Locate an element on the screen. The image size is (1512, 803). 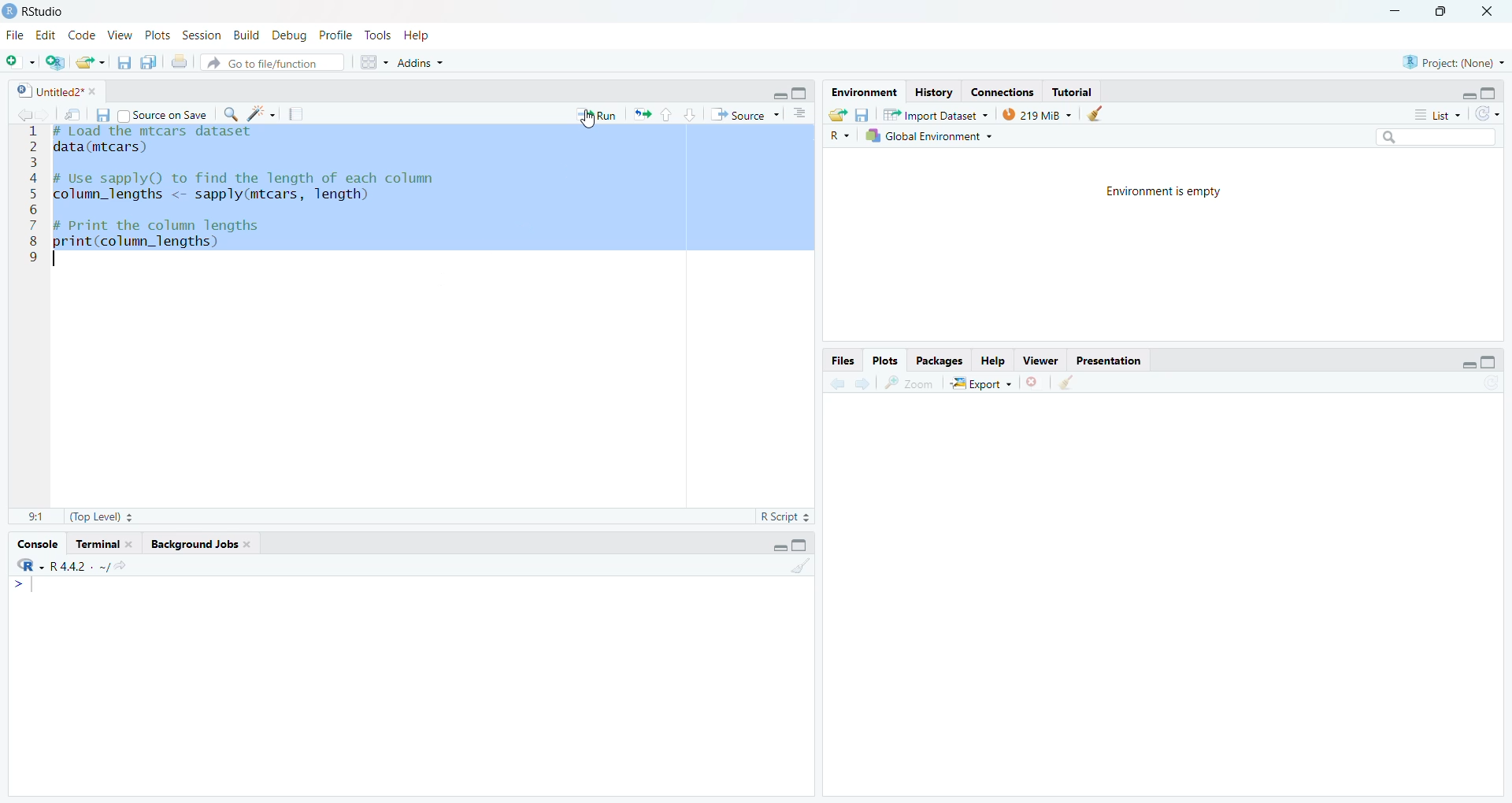
Print is located at coordinates (181, 61).